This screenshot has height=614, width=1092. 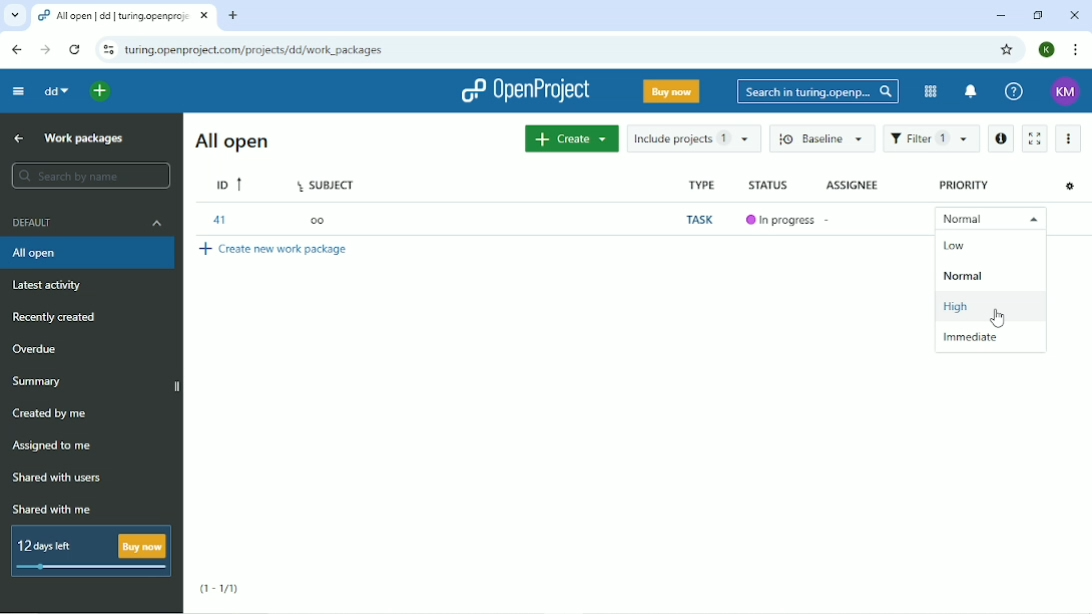 What do you see at coordinates (999, 316) in the screenshot?
I see `Cursor` at bounding box center [999, 316].